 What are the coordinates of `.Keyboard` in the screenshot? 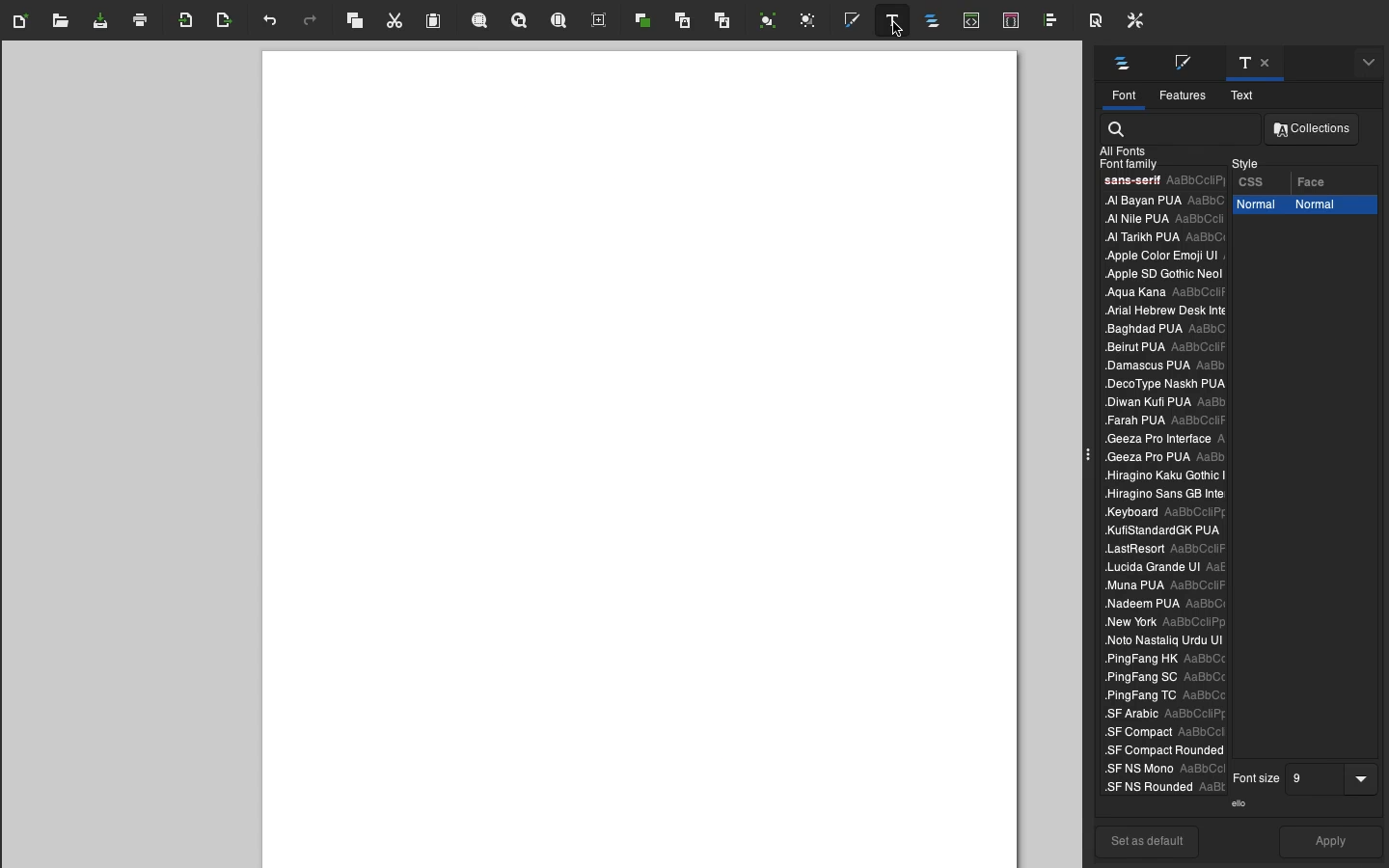 It's located at (1160, 513).